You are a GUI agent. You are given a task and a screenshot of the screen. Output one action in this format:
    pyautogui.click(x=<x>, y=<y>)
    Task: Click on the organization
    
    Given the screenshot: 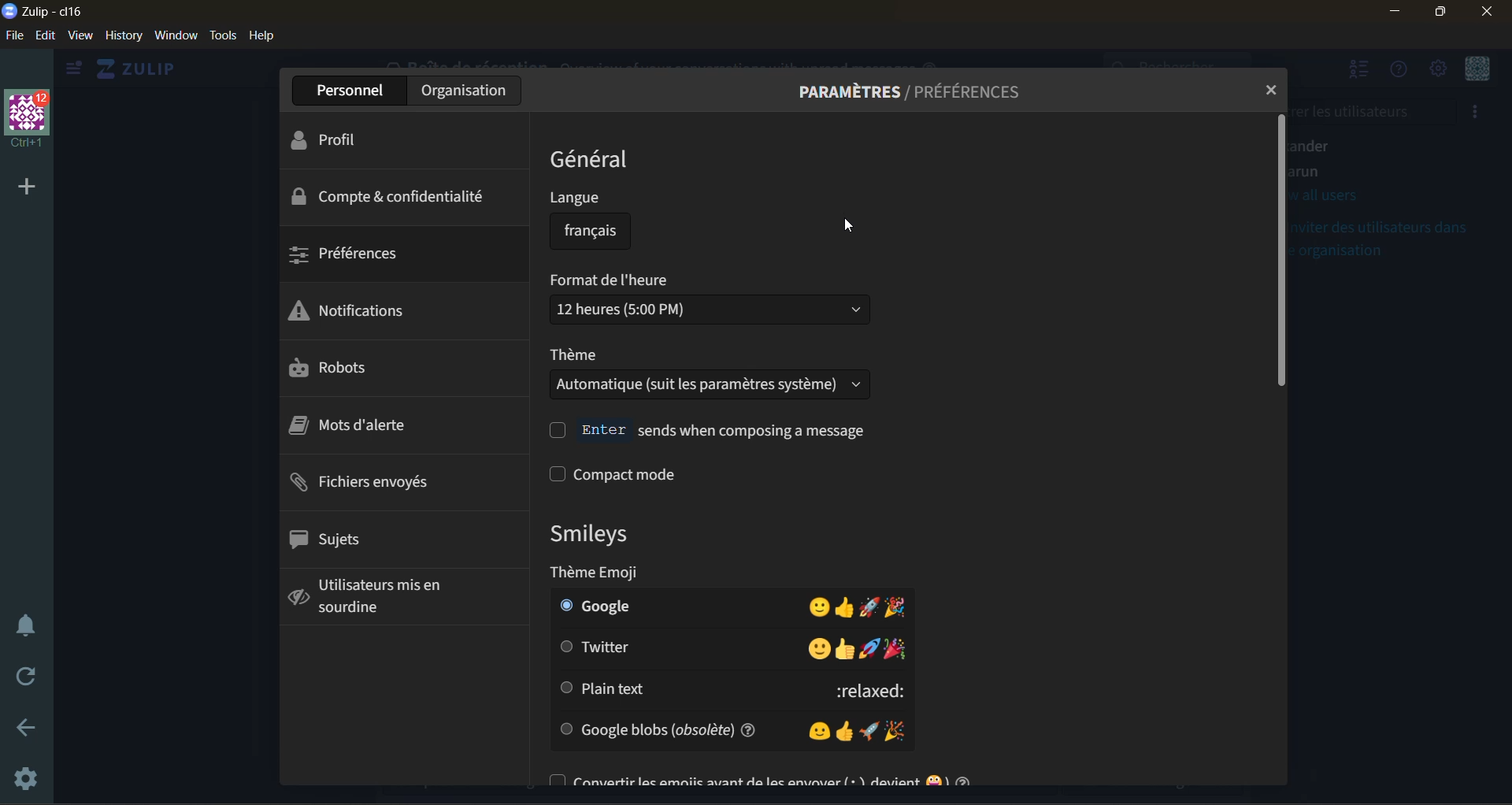 What is the action you would take?
    pyautogui.click(x=468, y=89)
    